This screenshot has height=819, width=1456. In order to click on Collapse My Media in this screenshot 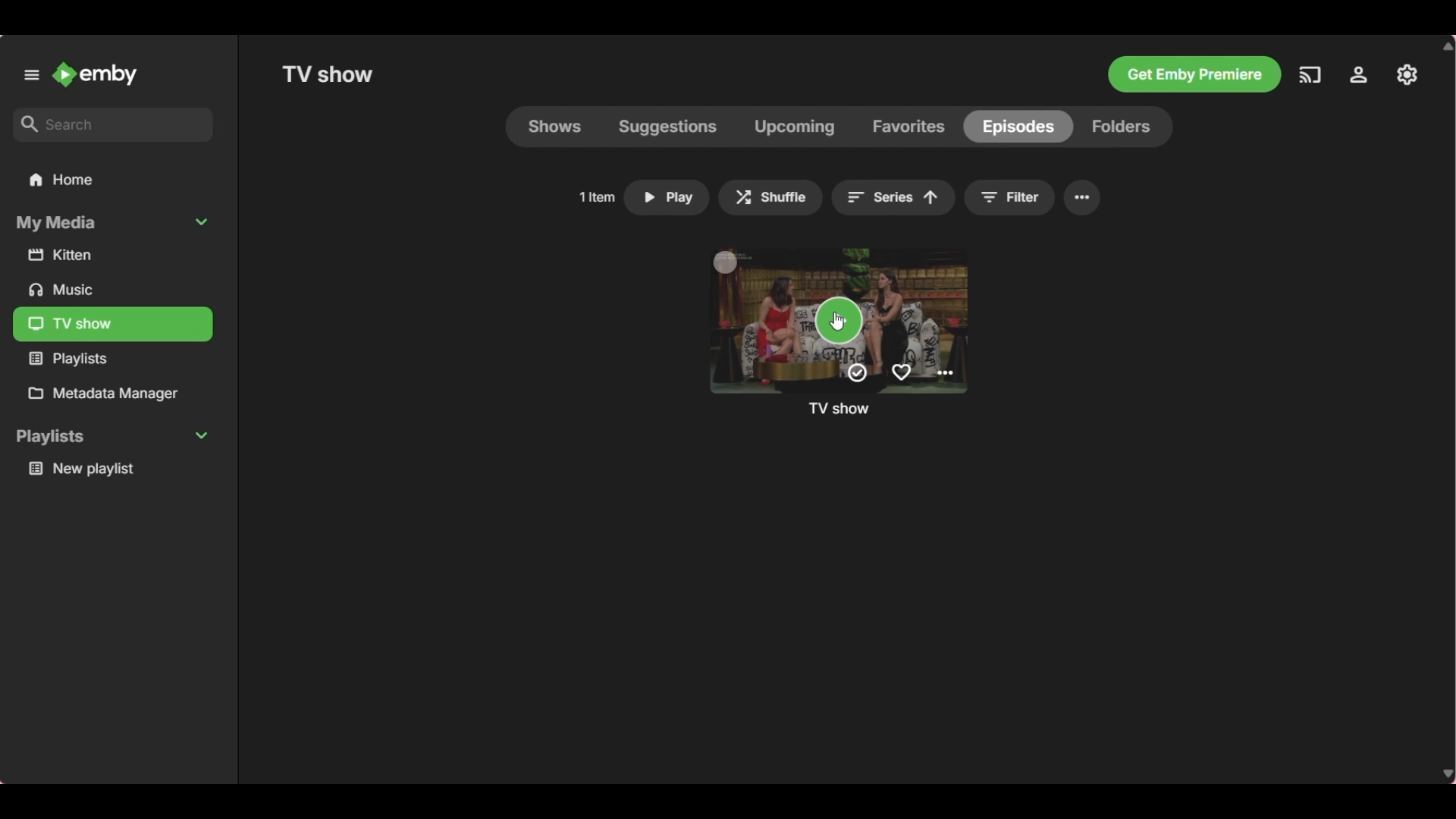, I will do `click(113, 224)`.